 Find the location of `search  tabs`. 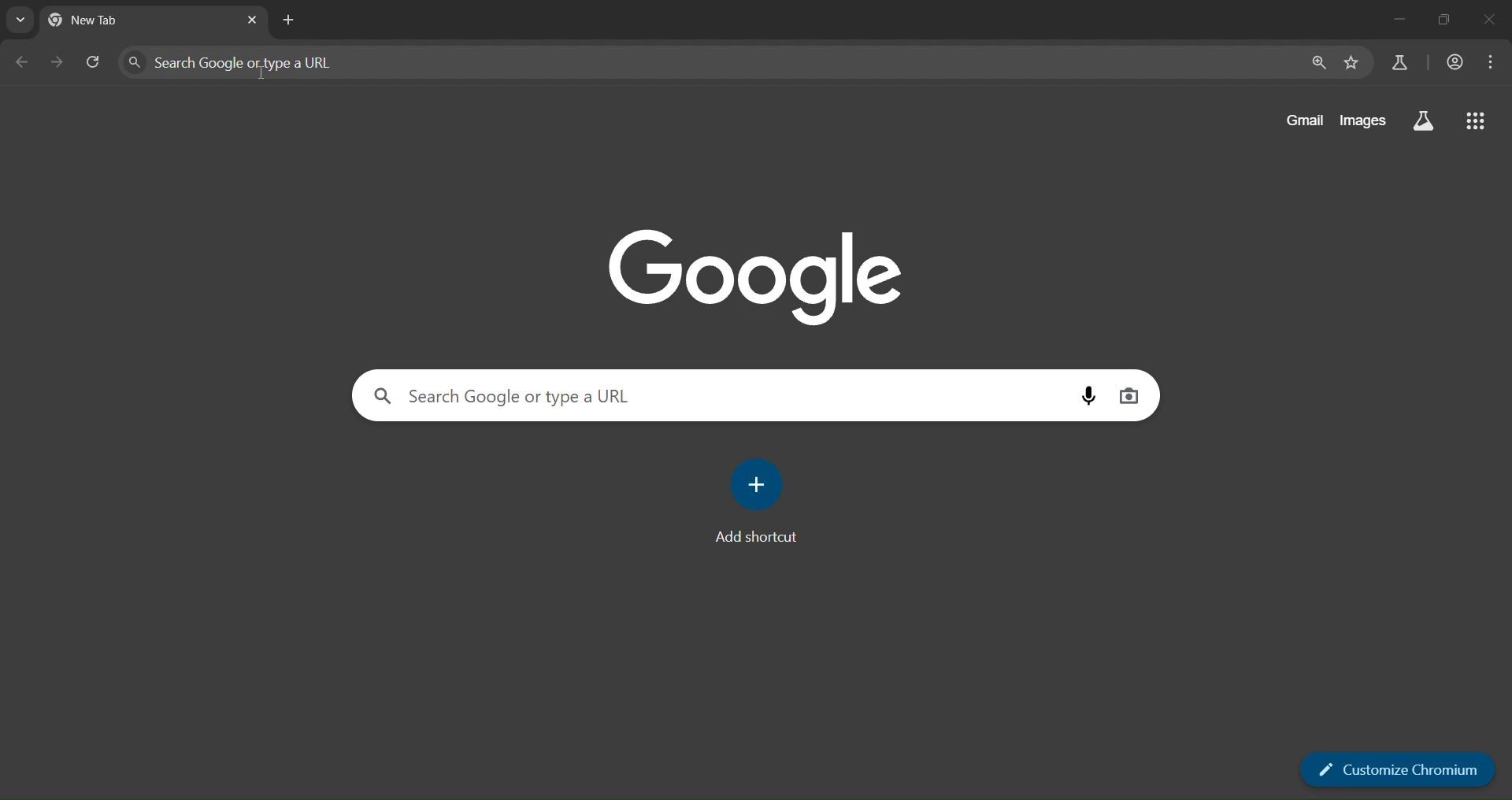

search  tabs is located at coordinates (20, 20).